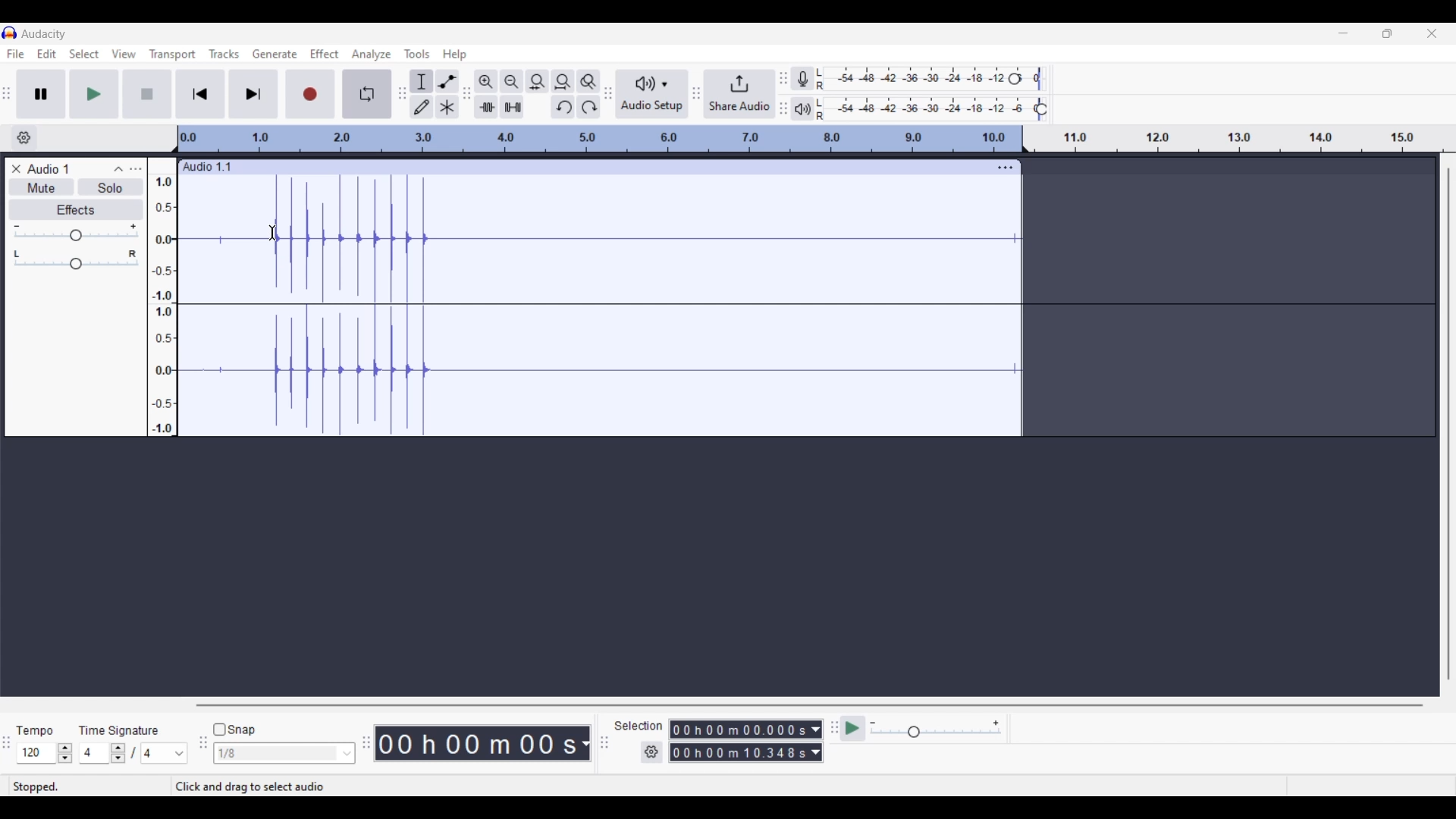  What do you see at coordinates (417, 54) in the screenshot?
I see `Tools menu` at bounding box center [417, 54].